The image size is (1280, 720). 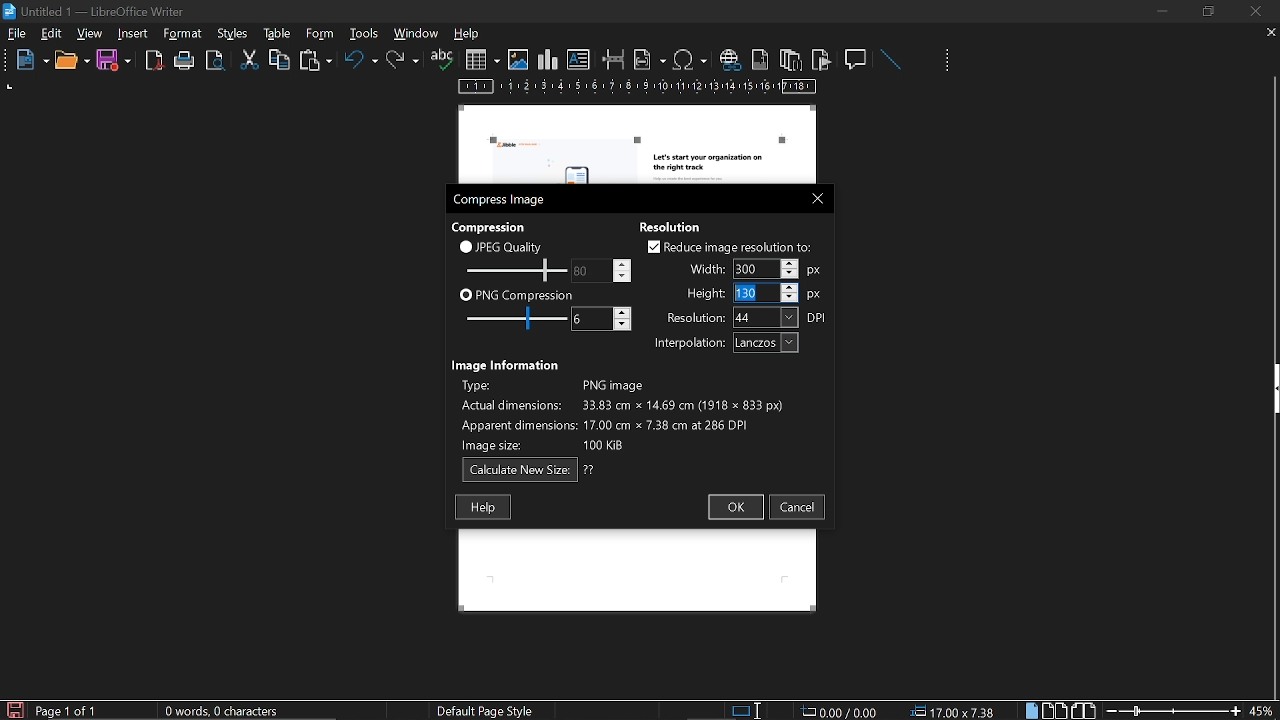 What do you see at coordinates (822, 60) in the screenshot?
I see `insert bookmark` at bounding box center [822, 60].